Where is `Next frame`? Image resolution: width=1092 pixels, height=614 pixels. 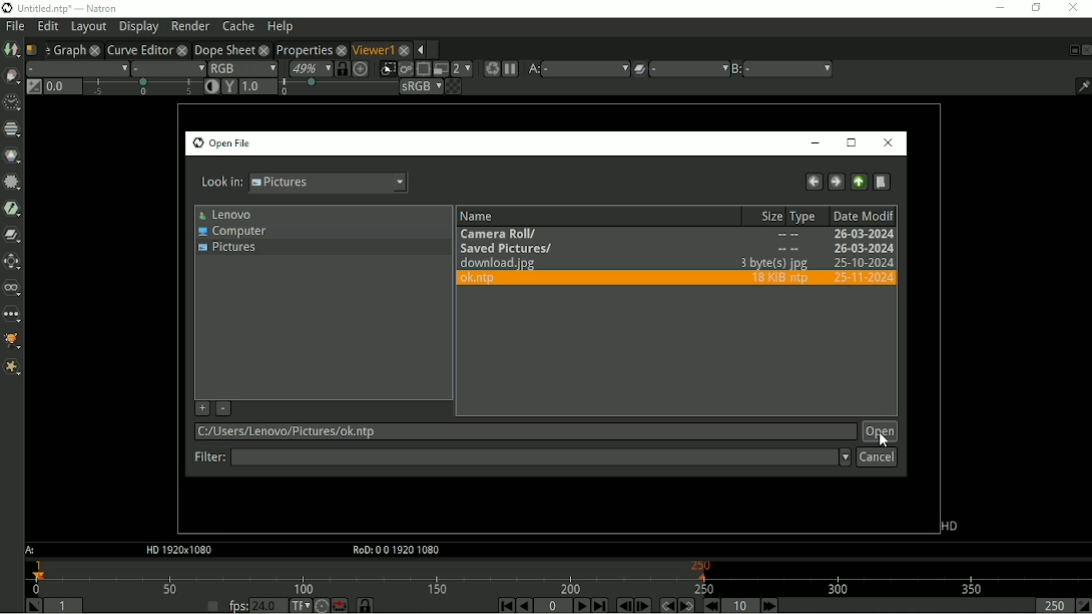 Next frame is located at coordinates (643, 605).